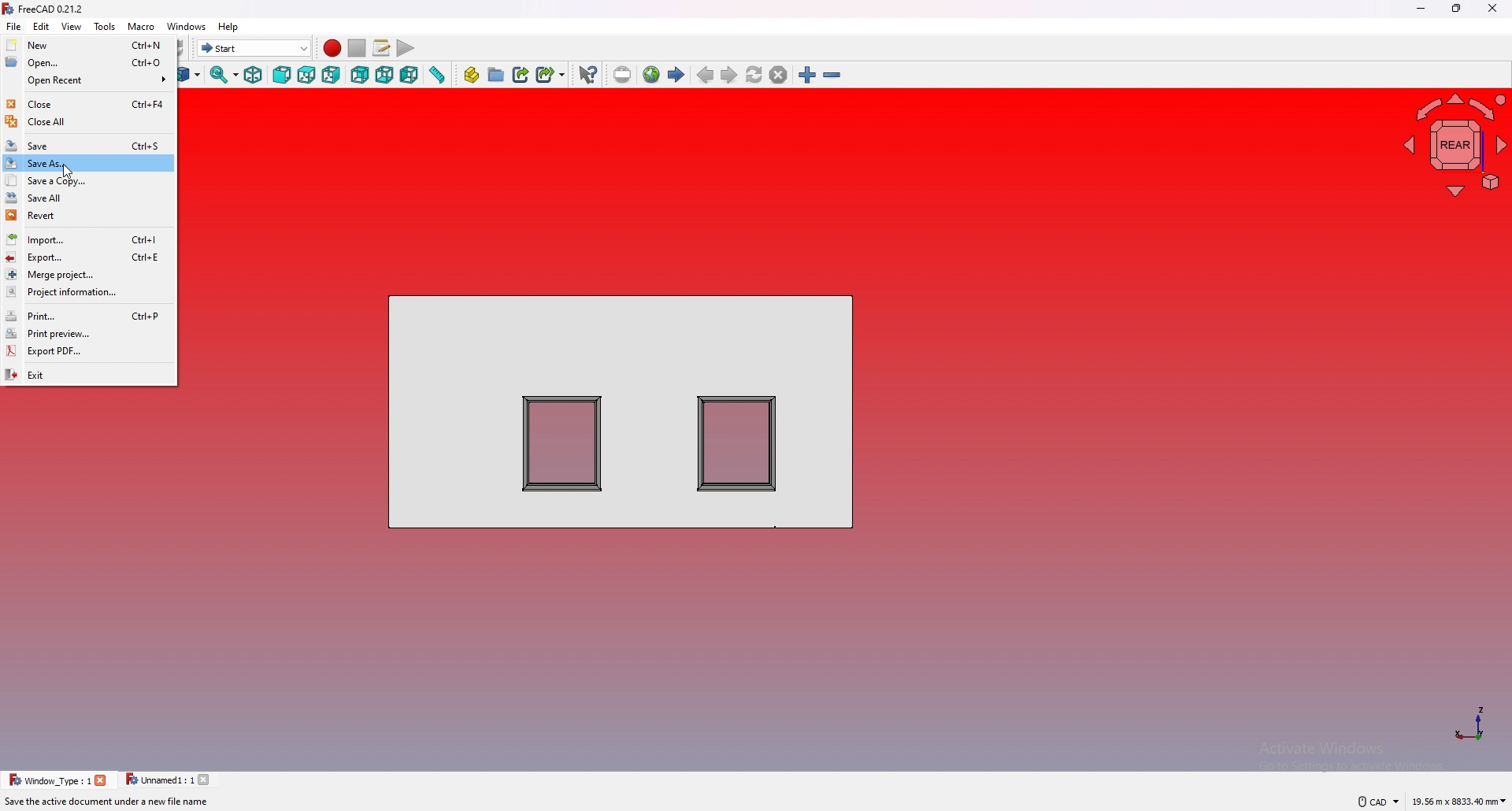 The width and height of the screenshot is (1512, 811). Describe the element at coordinates (306, 75) in the screenshot. I see `top` at that location.